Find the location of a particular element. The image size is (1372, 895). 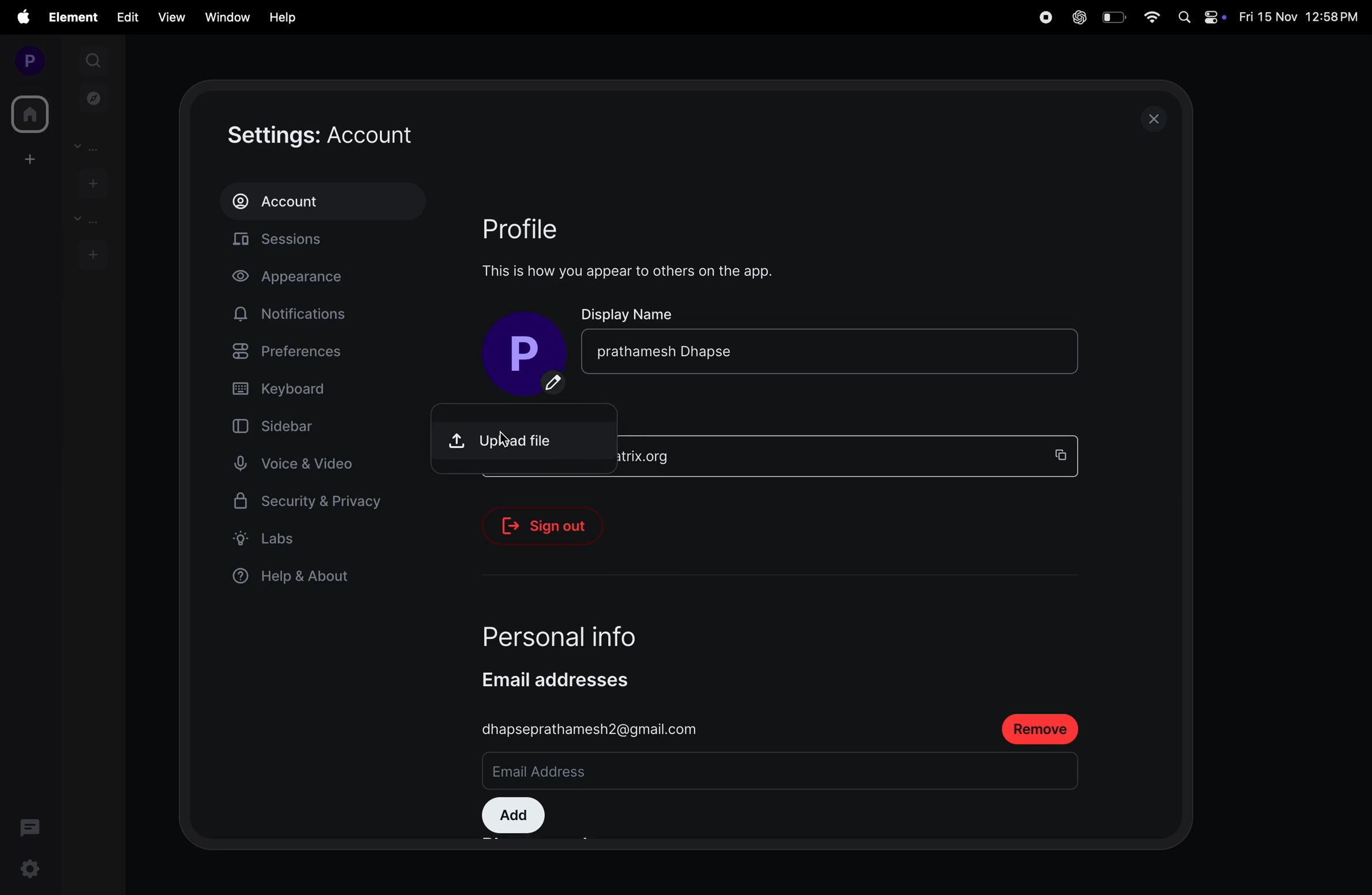

scrollbar is located at coordinates (1175, 340).